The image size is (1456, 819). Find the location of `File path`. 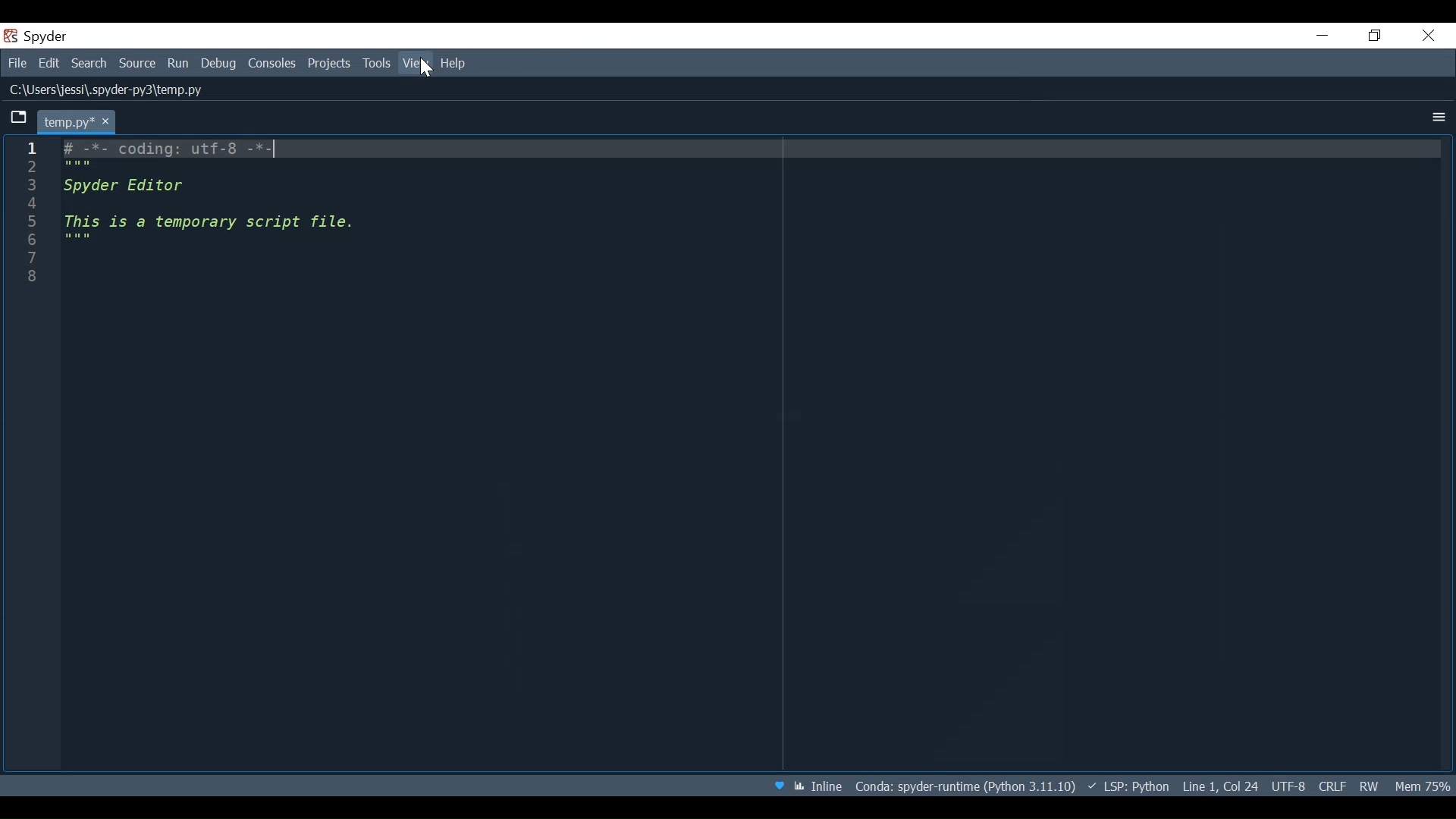

File path is located at coordinates (967, 785).